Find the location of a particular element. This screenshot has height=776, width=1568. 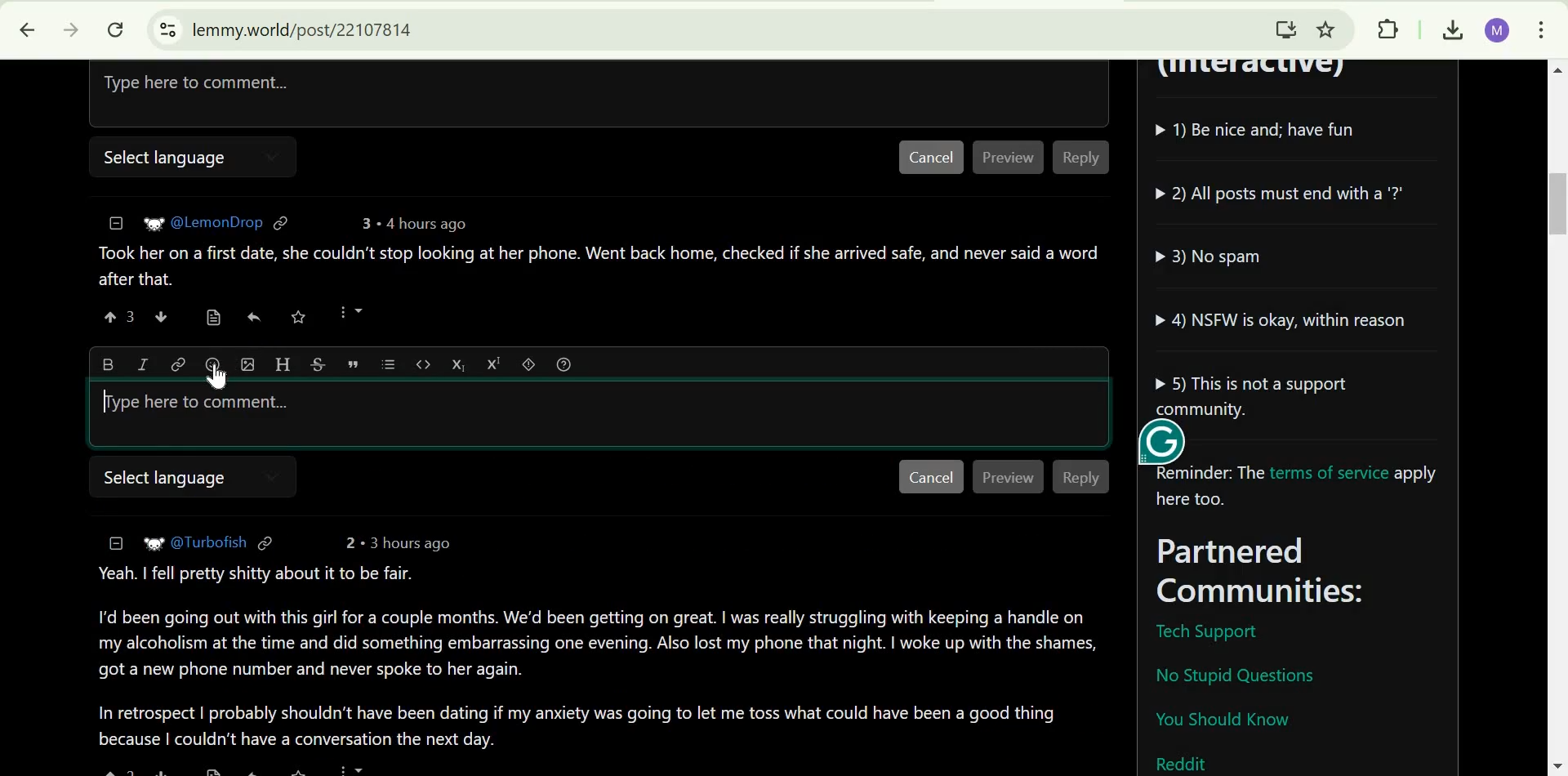

Reply is located at coordinates (1080, 158).